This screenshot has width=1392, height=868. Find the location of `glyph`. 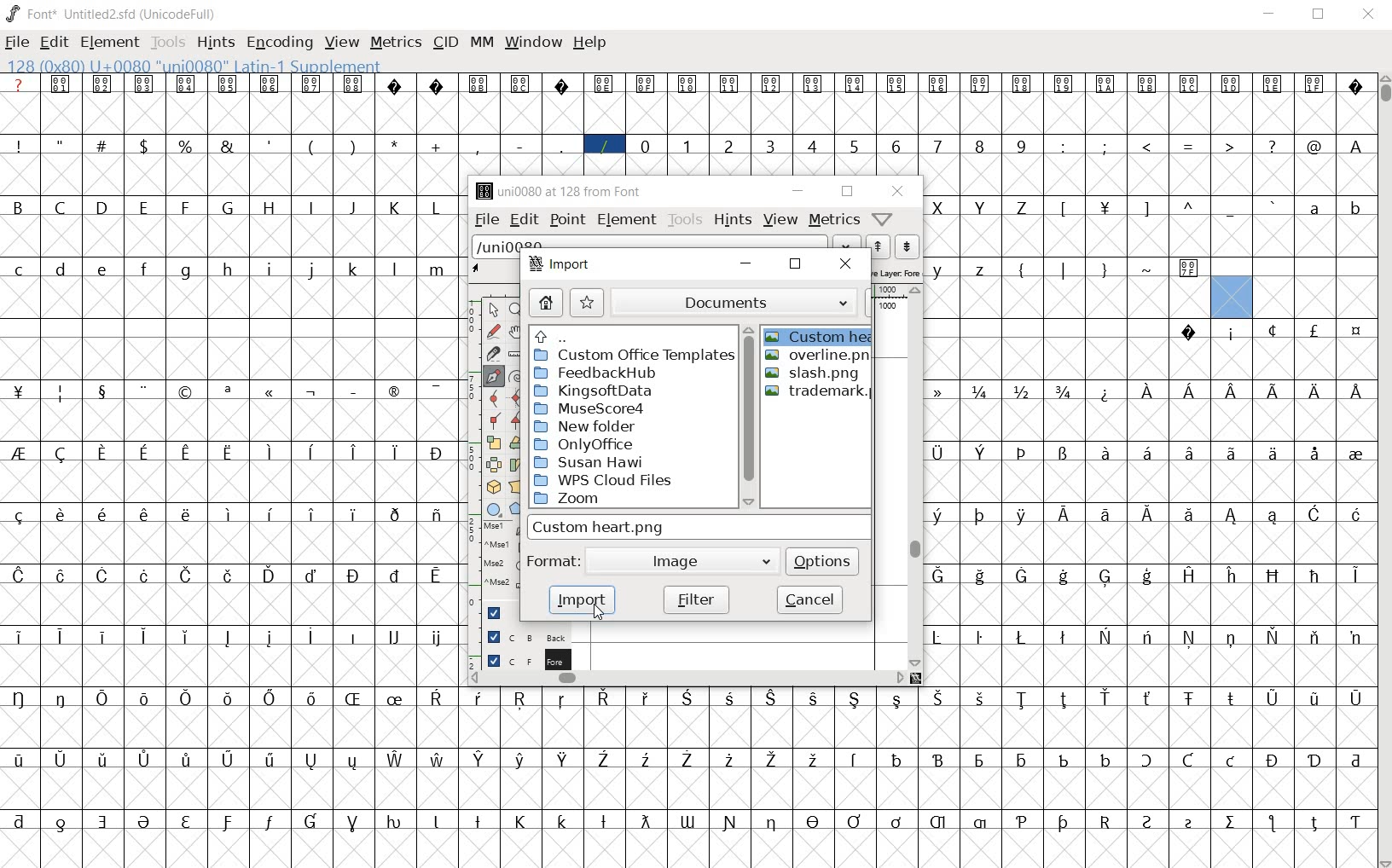

glyph is located at coordinates (1147, 698).